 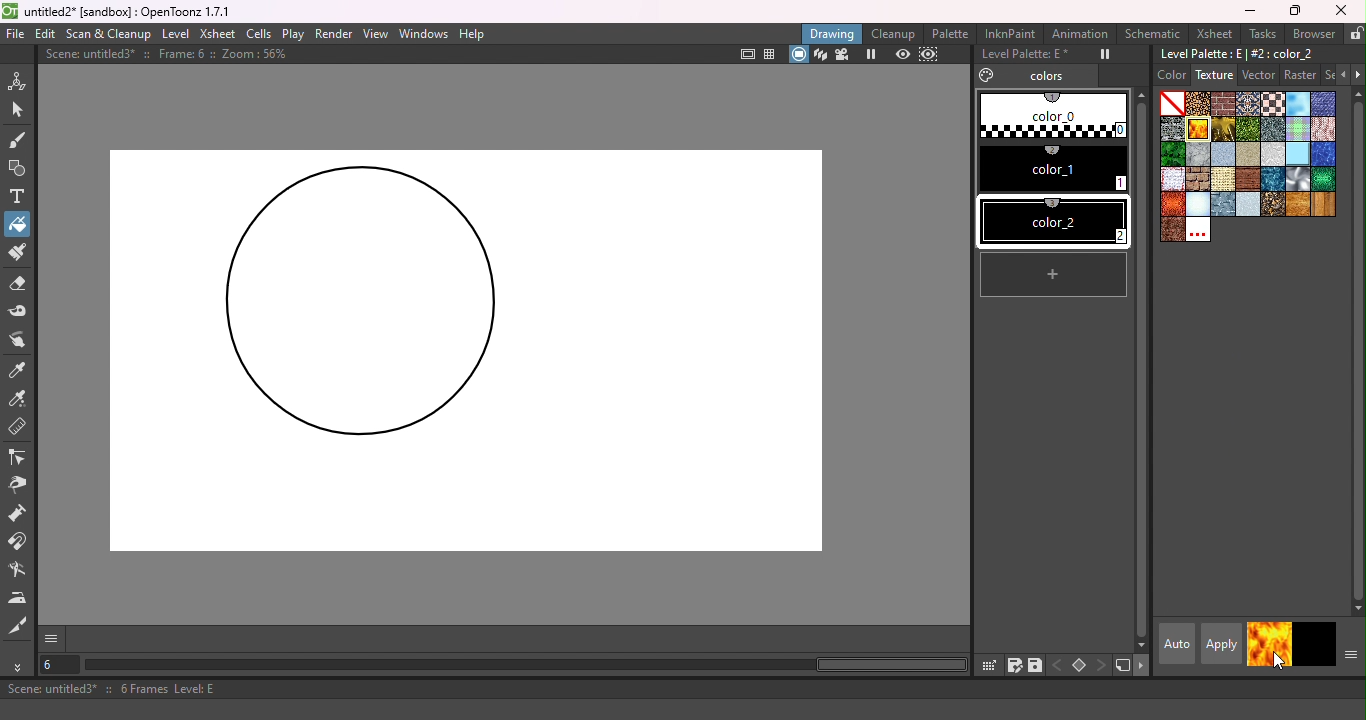 I want to click on roughparquet.bmp, so click(x=1249, y=180).